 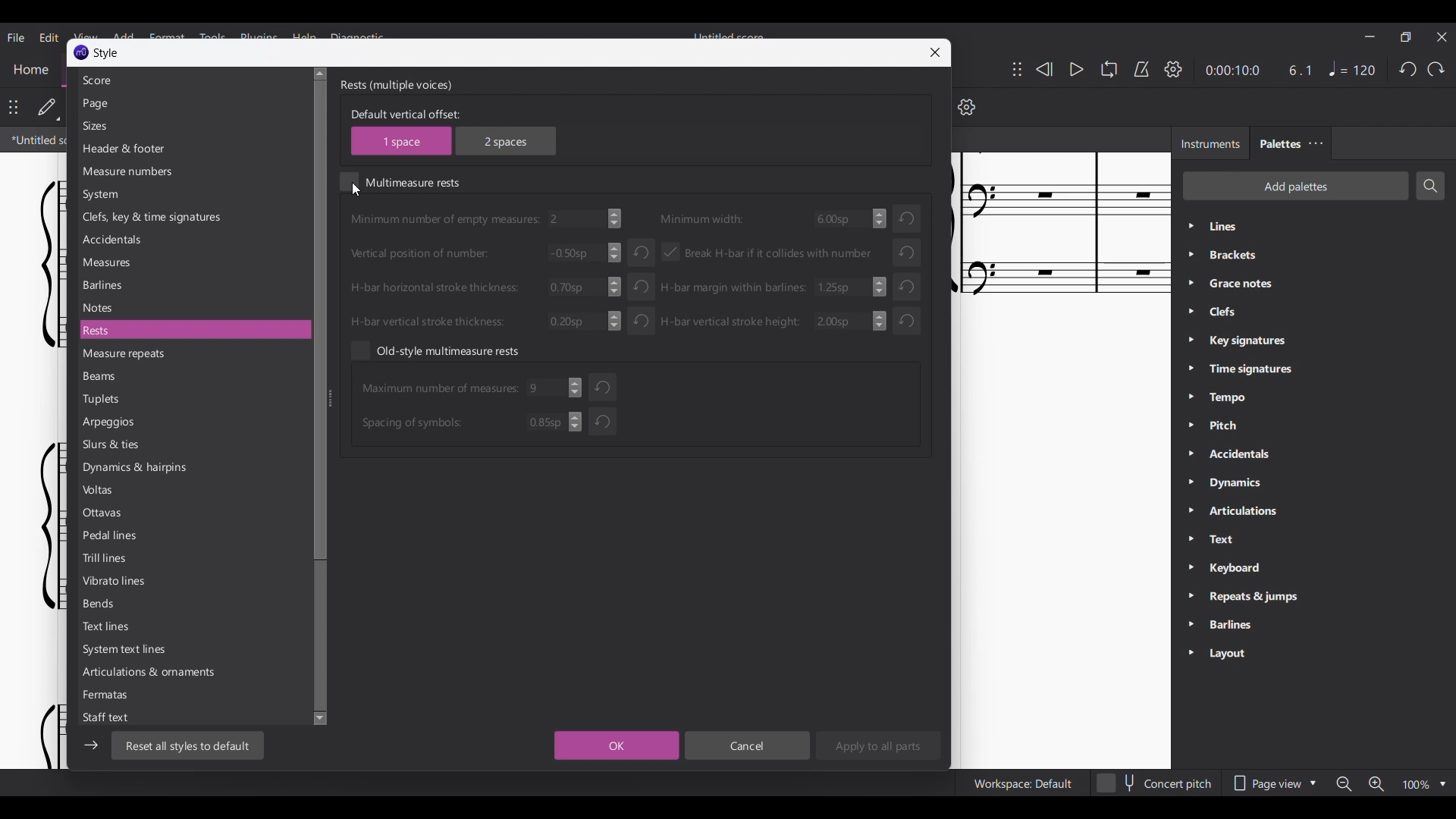 I want to click on Metronome, so click(x=1141, y=69).